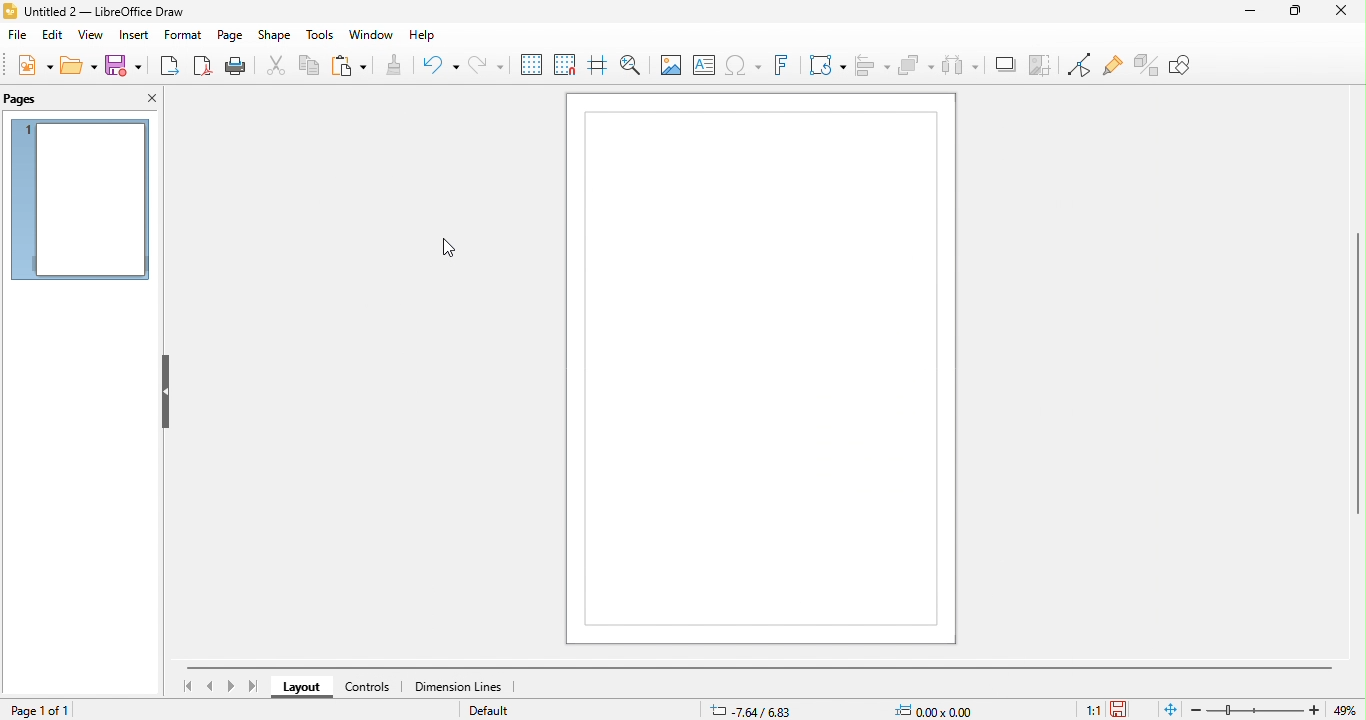  I want to click on clone, so click(393, 68).